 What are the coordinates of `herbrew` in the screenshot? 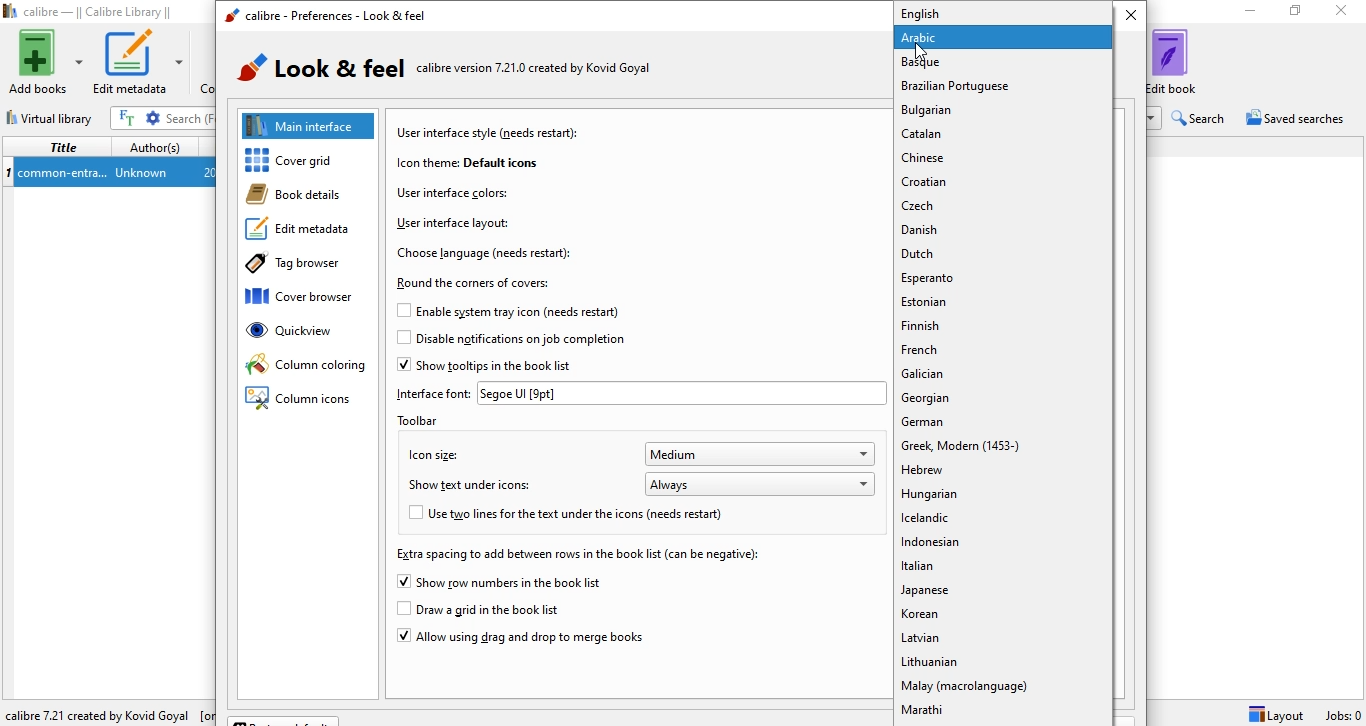 It's located at (1003, 473).